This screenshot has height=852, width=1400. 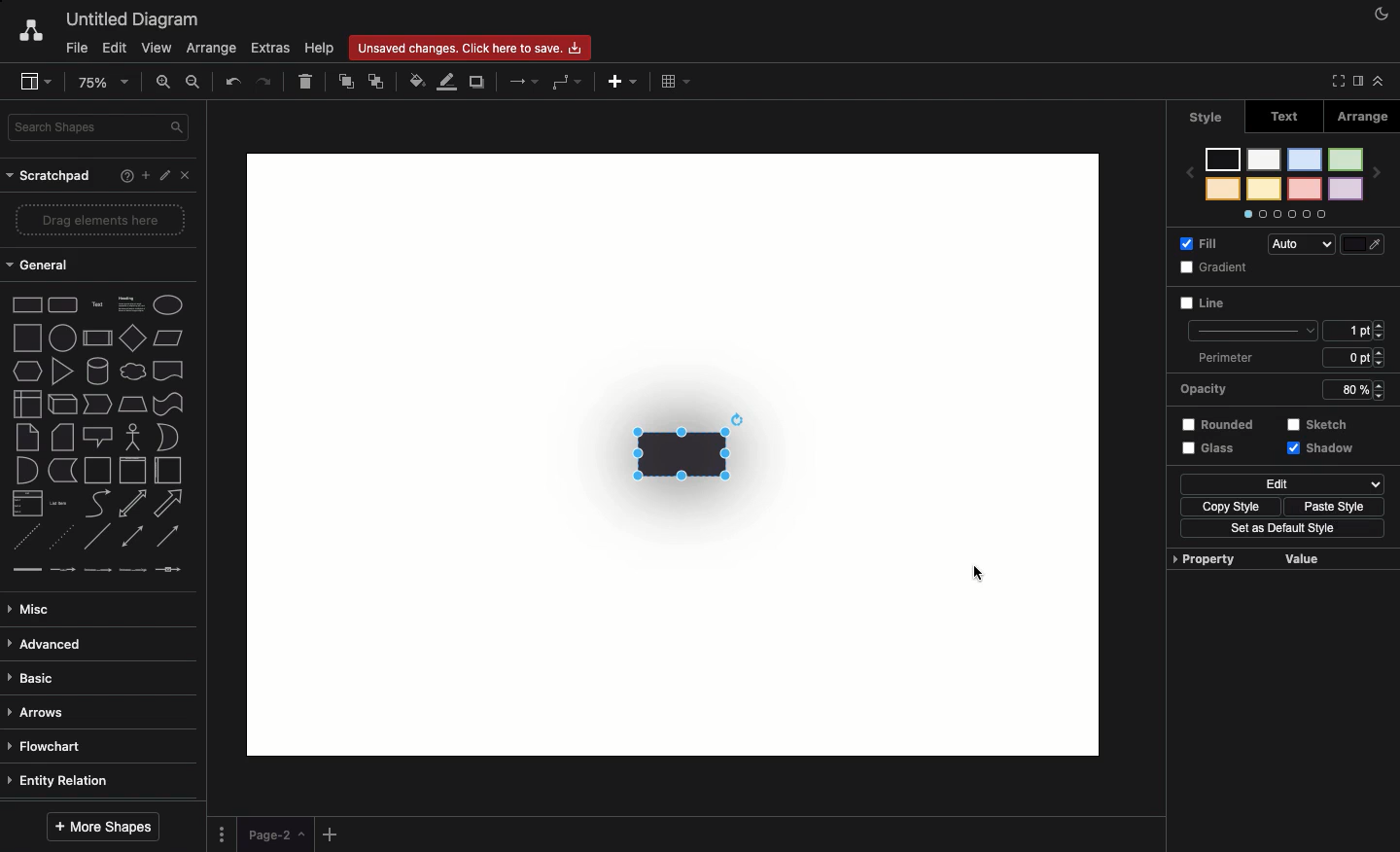 What do you see at coordinates (1221, 160) in the screenshot?
I see `color 7` at bounding box center [1221, 160].